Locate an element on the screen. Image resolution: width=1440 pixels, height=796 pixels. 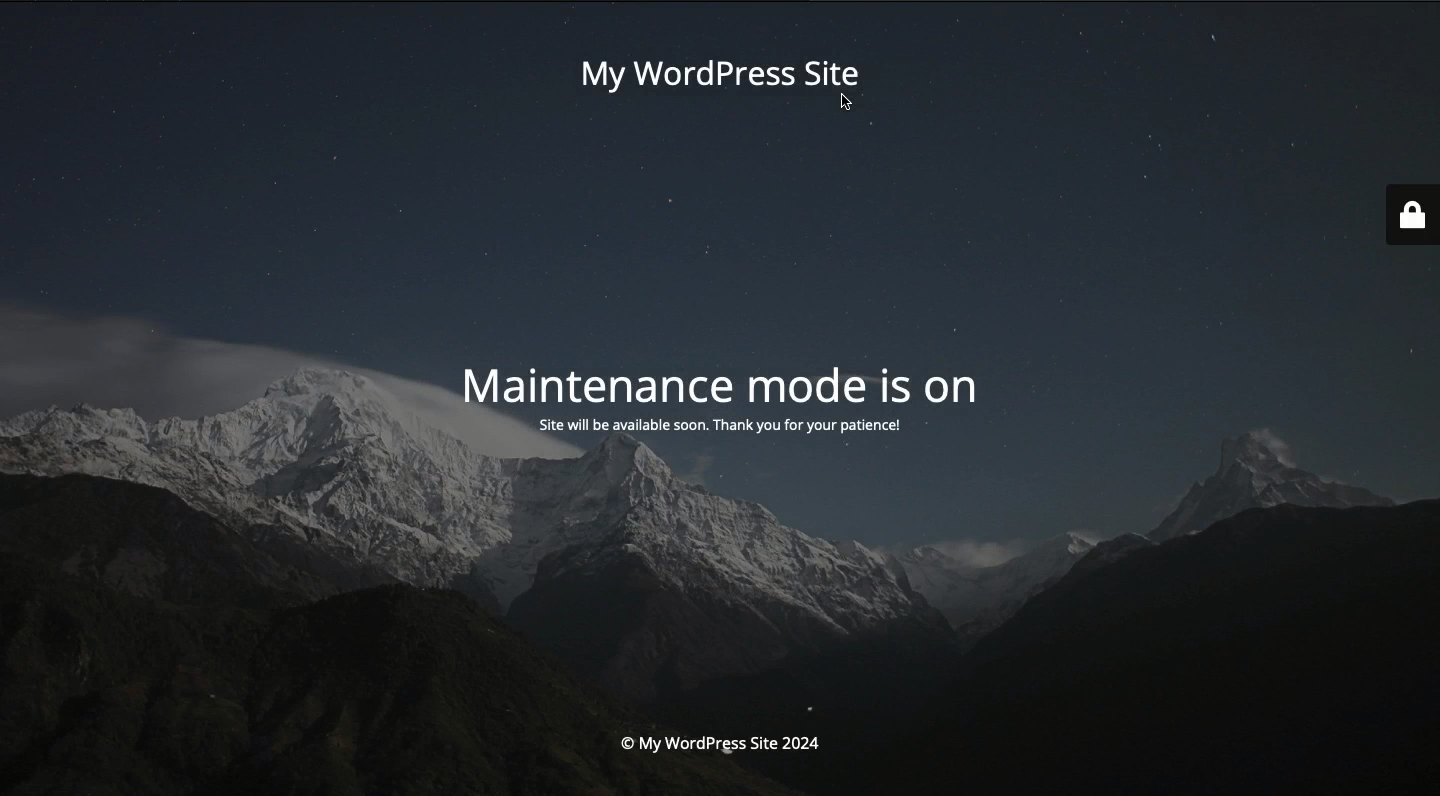
cursor is located at coordinates (848, 101).